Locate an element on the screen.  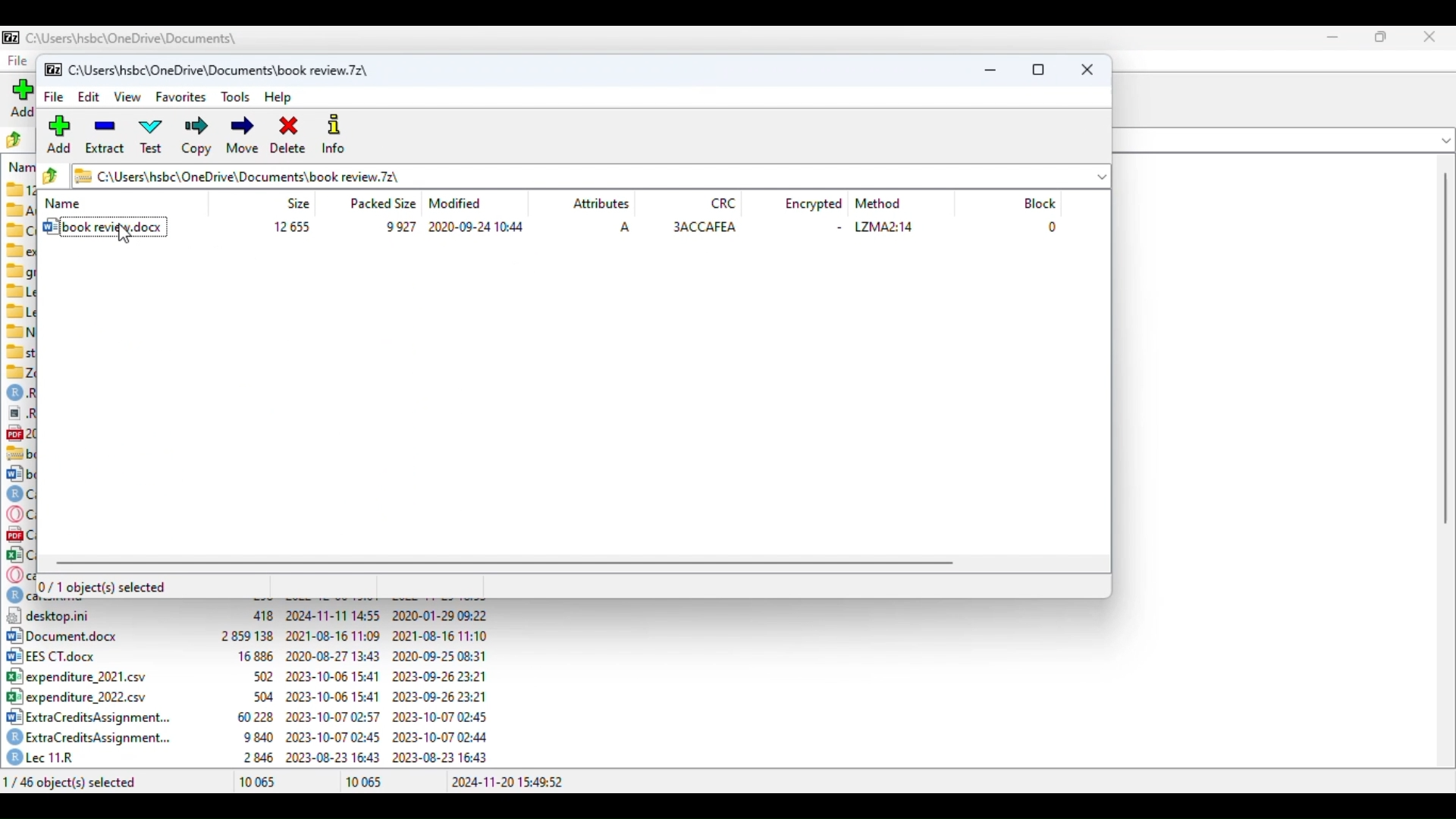
12] desktop.ini 418 2024-11-11 14:55 2020-01-29 09:22 is located at coordinates (246, 615).